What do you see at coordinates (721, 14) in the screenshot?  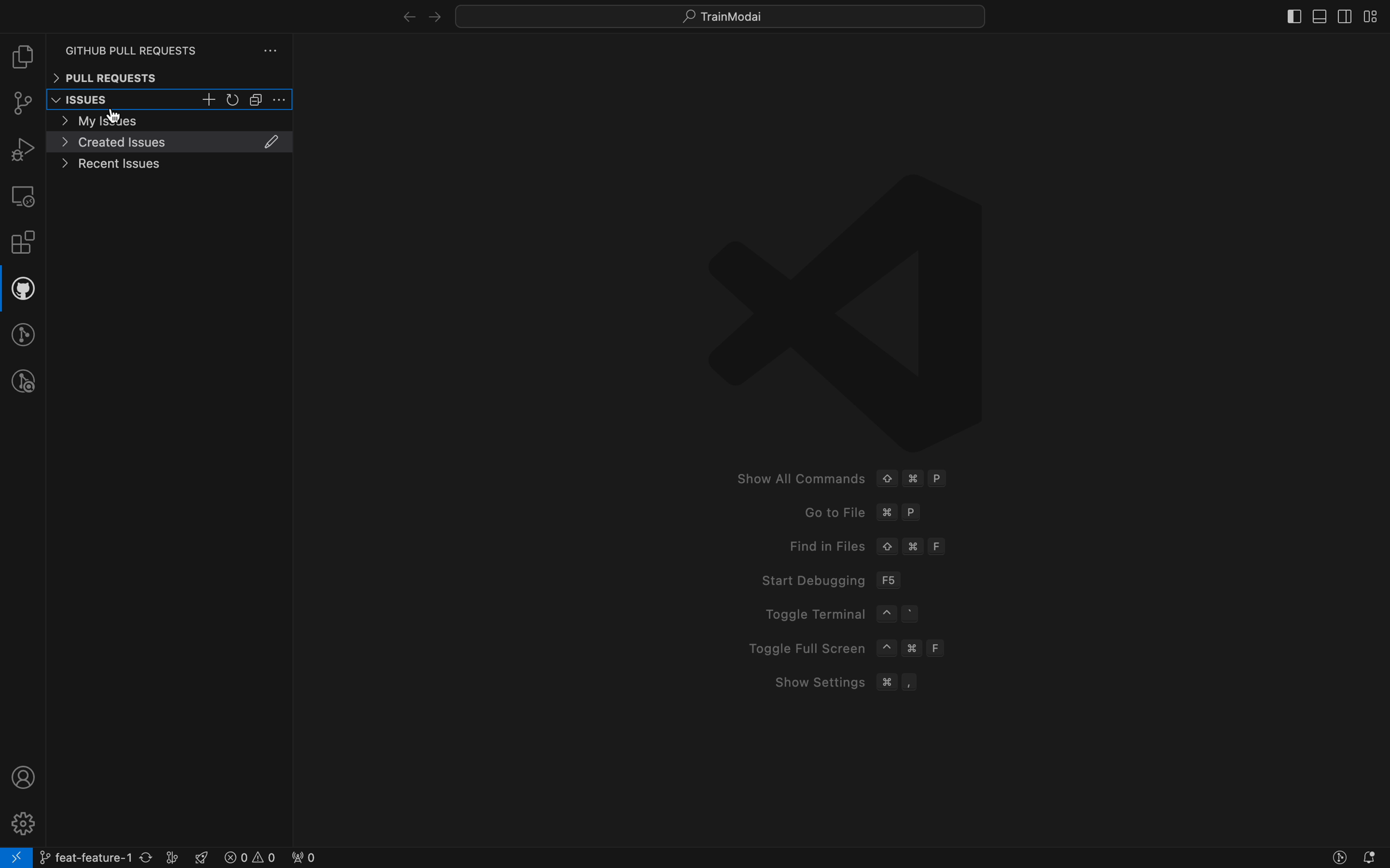 I see `quick menu` at bounding box center [721, 14].